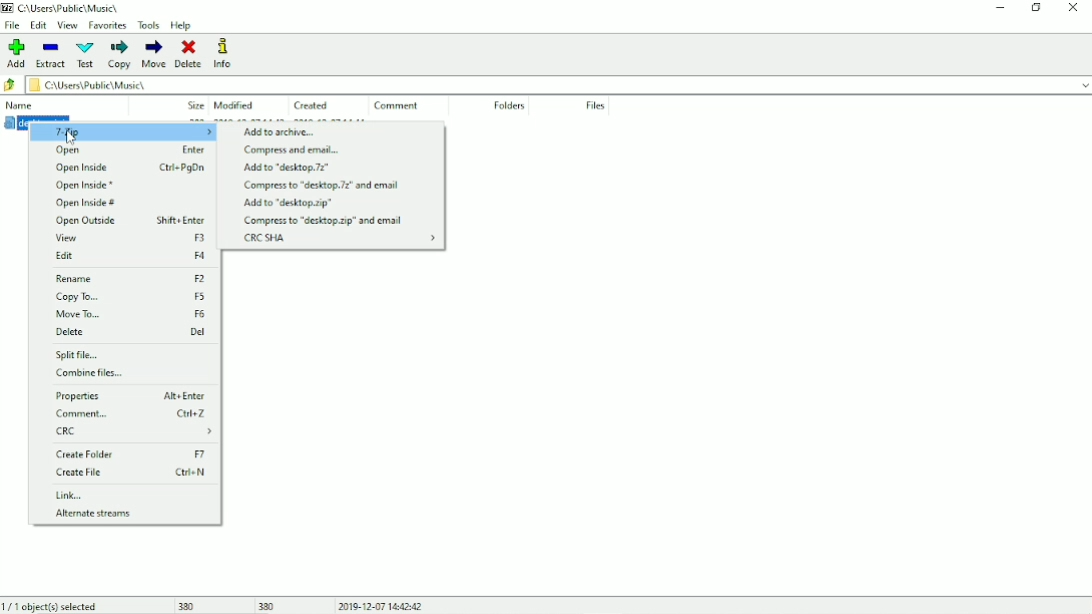 The height and width of the screenshot is (614, 1092). Describe the element at coordinates (128, 169) in the screenshot. I see `Open Inside` at that location.